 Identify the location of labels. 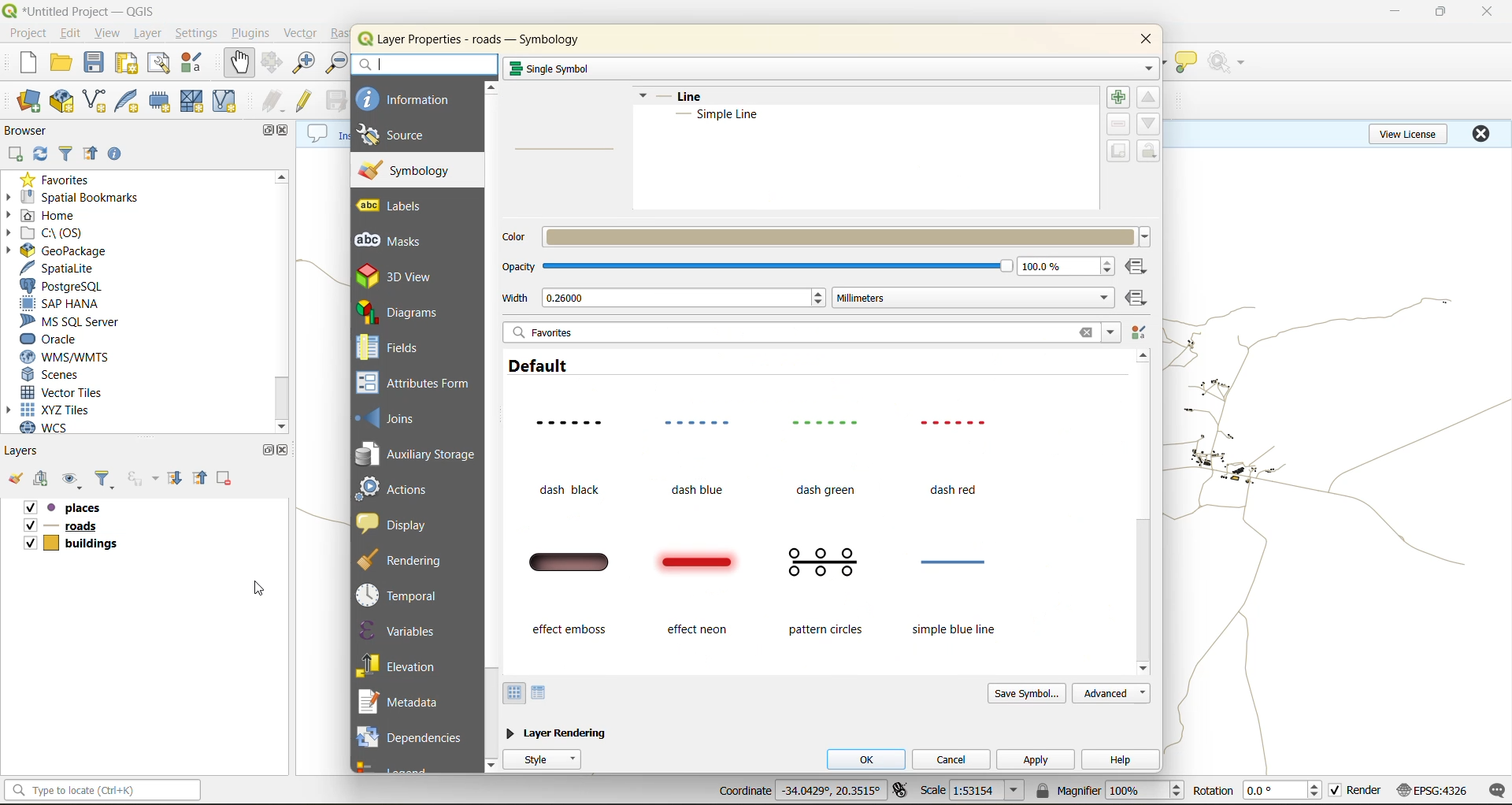
(397, 206).